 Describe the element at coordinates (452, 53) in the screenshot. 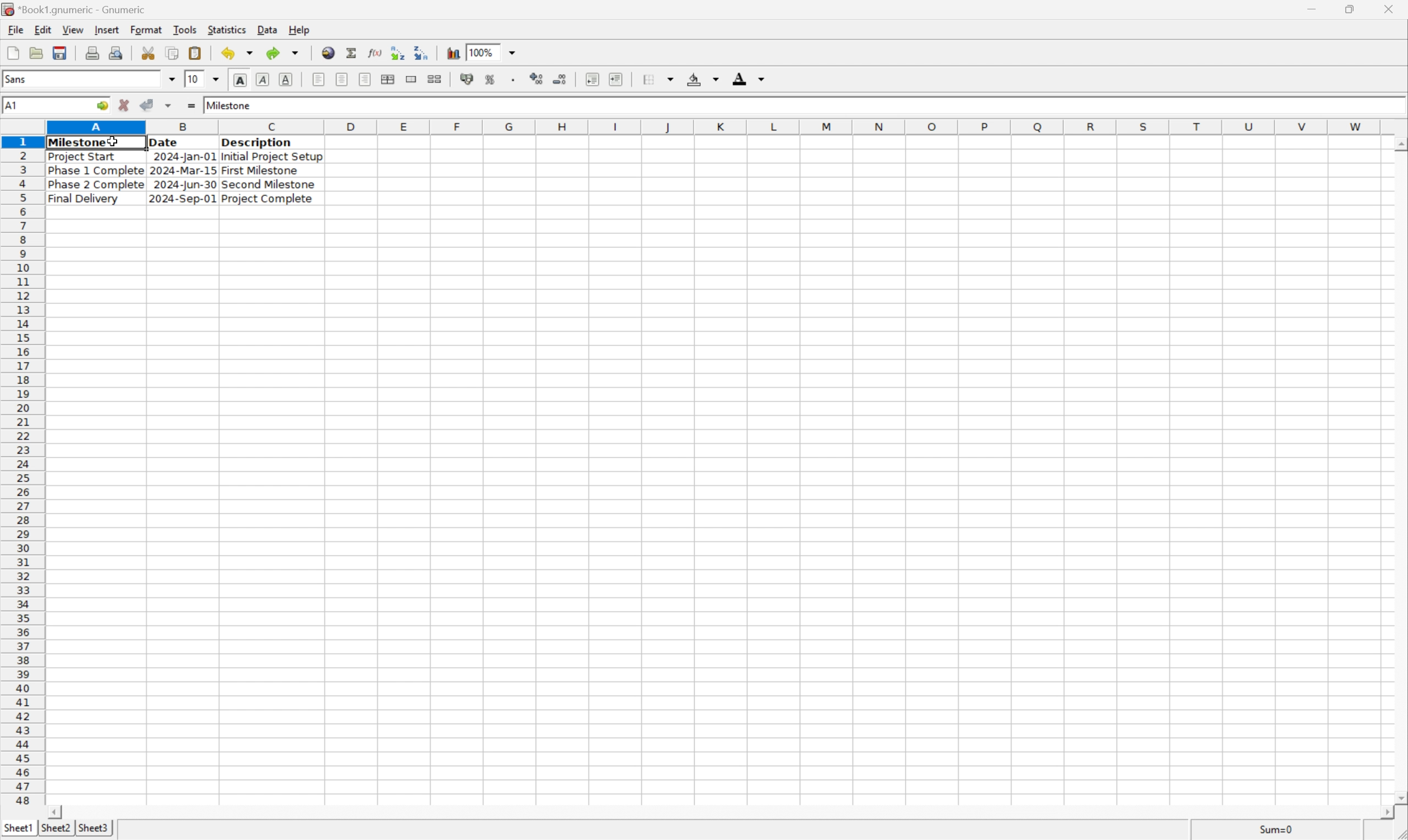

I see `insert chart` at that location.